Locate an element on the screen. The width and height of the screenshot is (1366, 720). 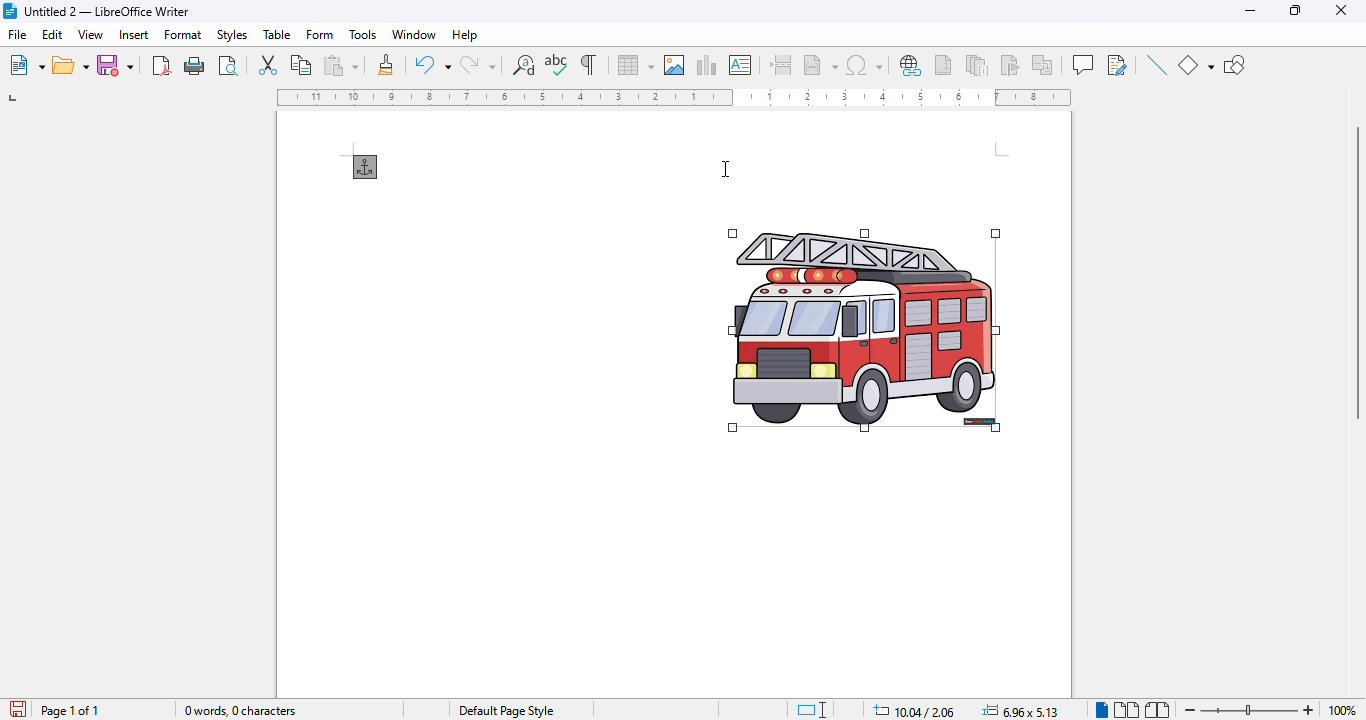
vertical scroll bar is located at coordinates (1356, 274).